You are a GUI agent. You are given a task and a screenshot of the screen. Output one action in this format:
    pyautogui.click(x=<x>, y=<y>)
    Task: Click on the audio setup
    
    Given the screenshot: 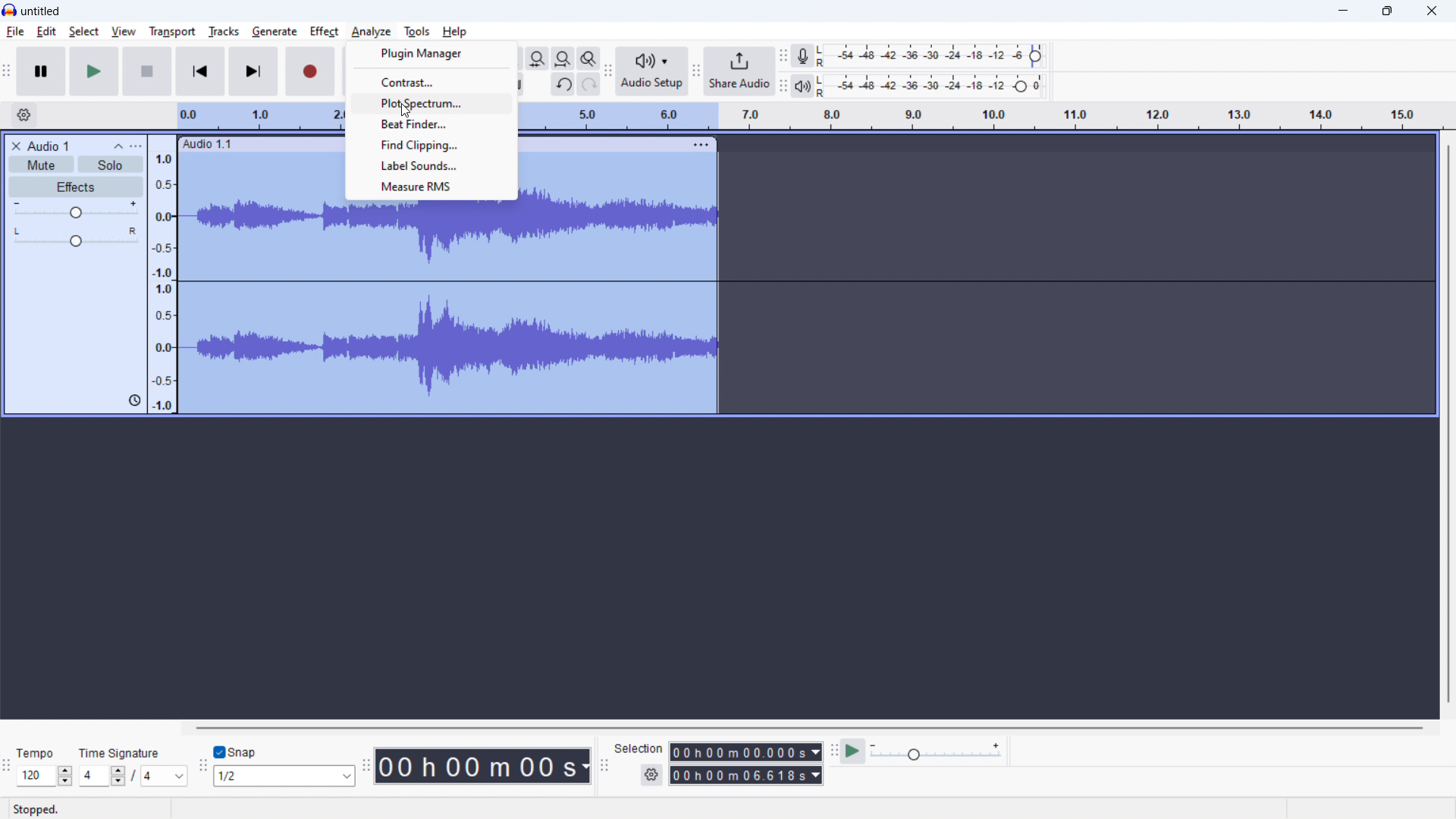 What is the action you would take?
    pyautogui.click(x=608, y=72)
    